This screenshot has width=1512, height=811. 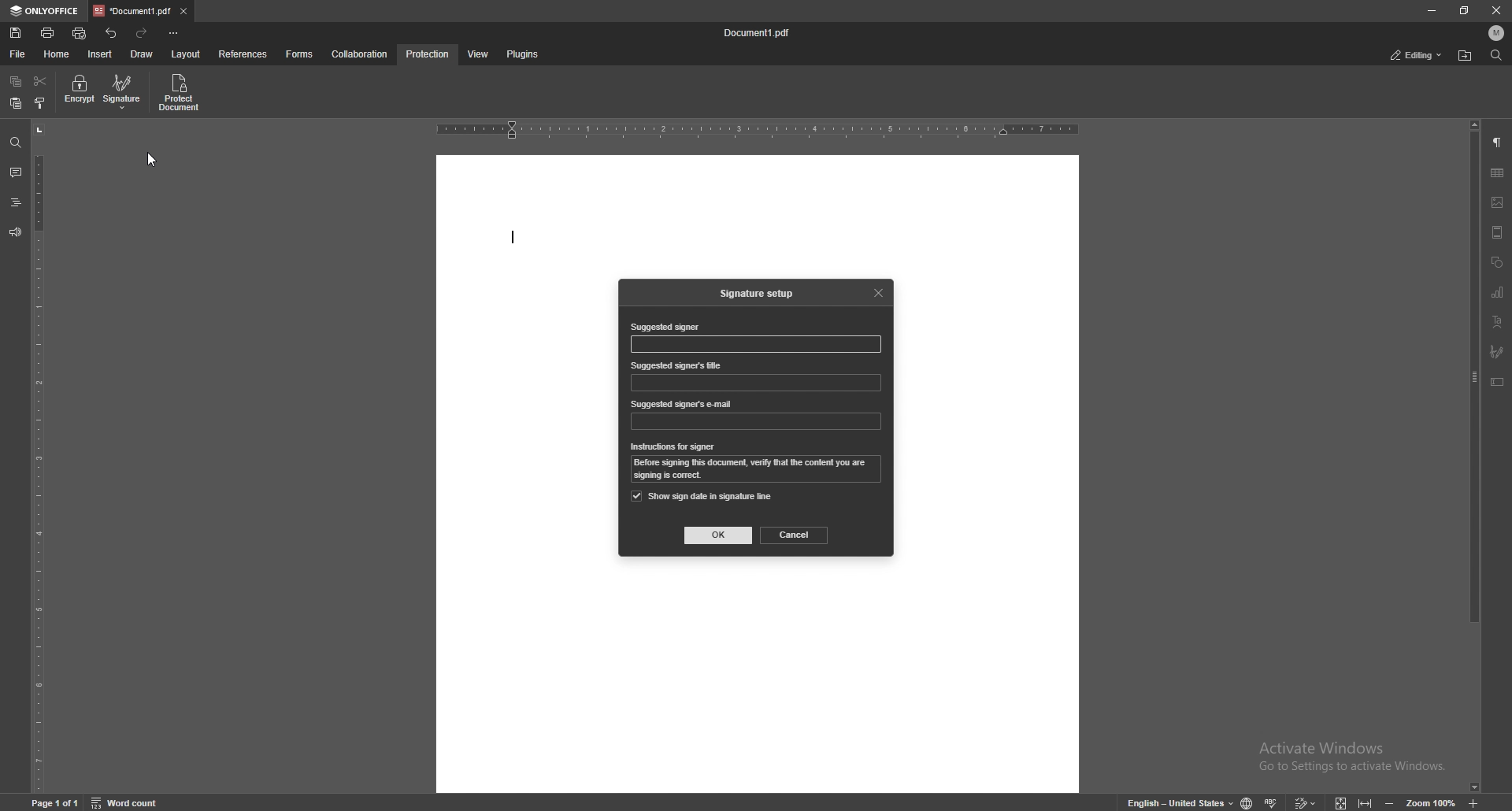 I want to click on ok, so click(x=719, y=535).